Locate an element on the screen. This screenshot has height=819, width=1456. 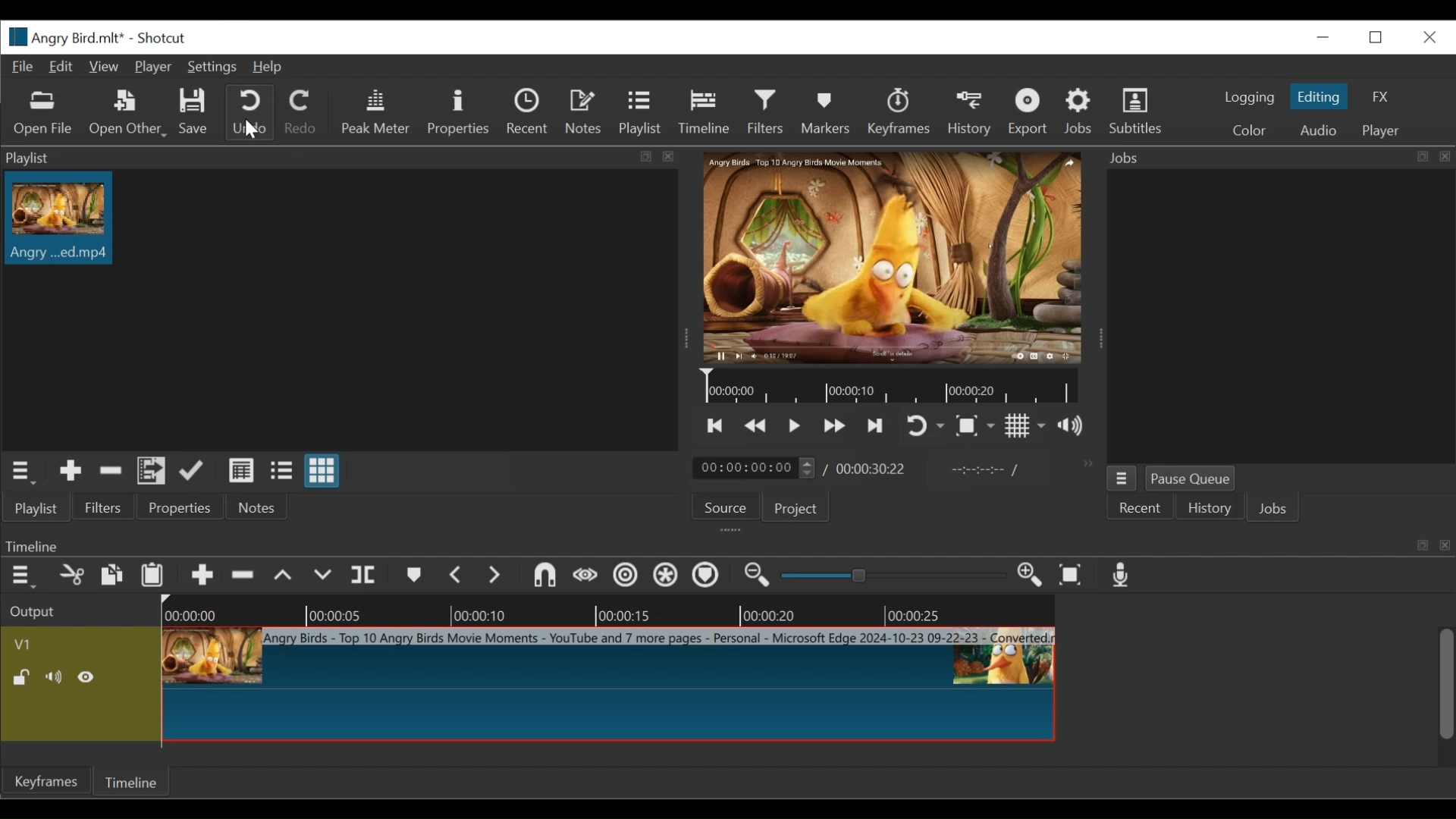
Close is located at coordinates (1428, 37).